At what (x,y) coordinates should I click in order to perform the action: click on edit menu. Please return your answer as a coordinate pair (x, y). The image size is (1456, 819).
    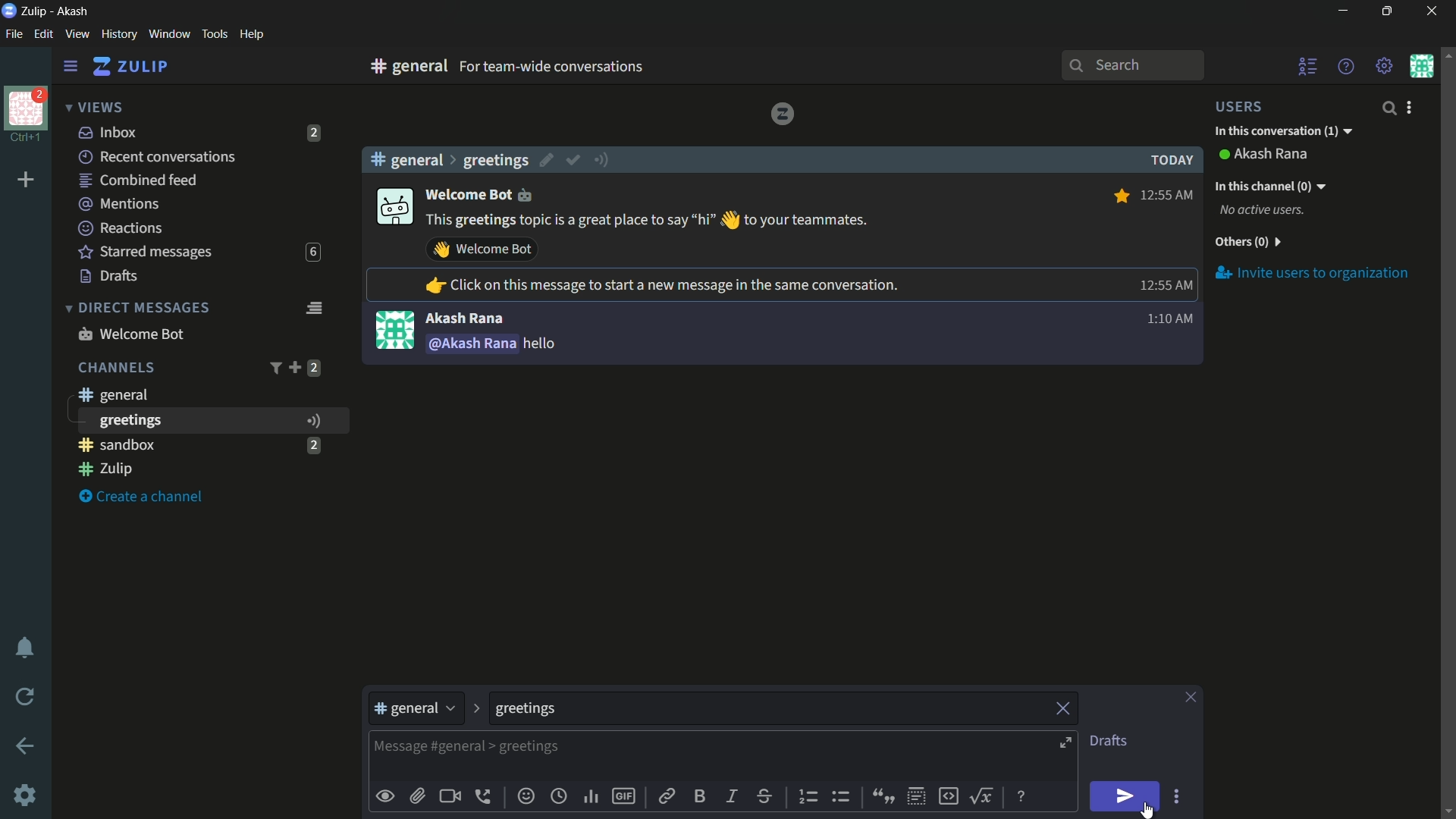
    Looking at the image, I should click on (43, 34).